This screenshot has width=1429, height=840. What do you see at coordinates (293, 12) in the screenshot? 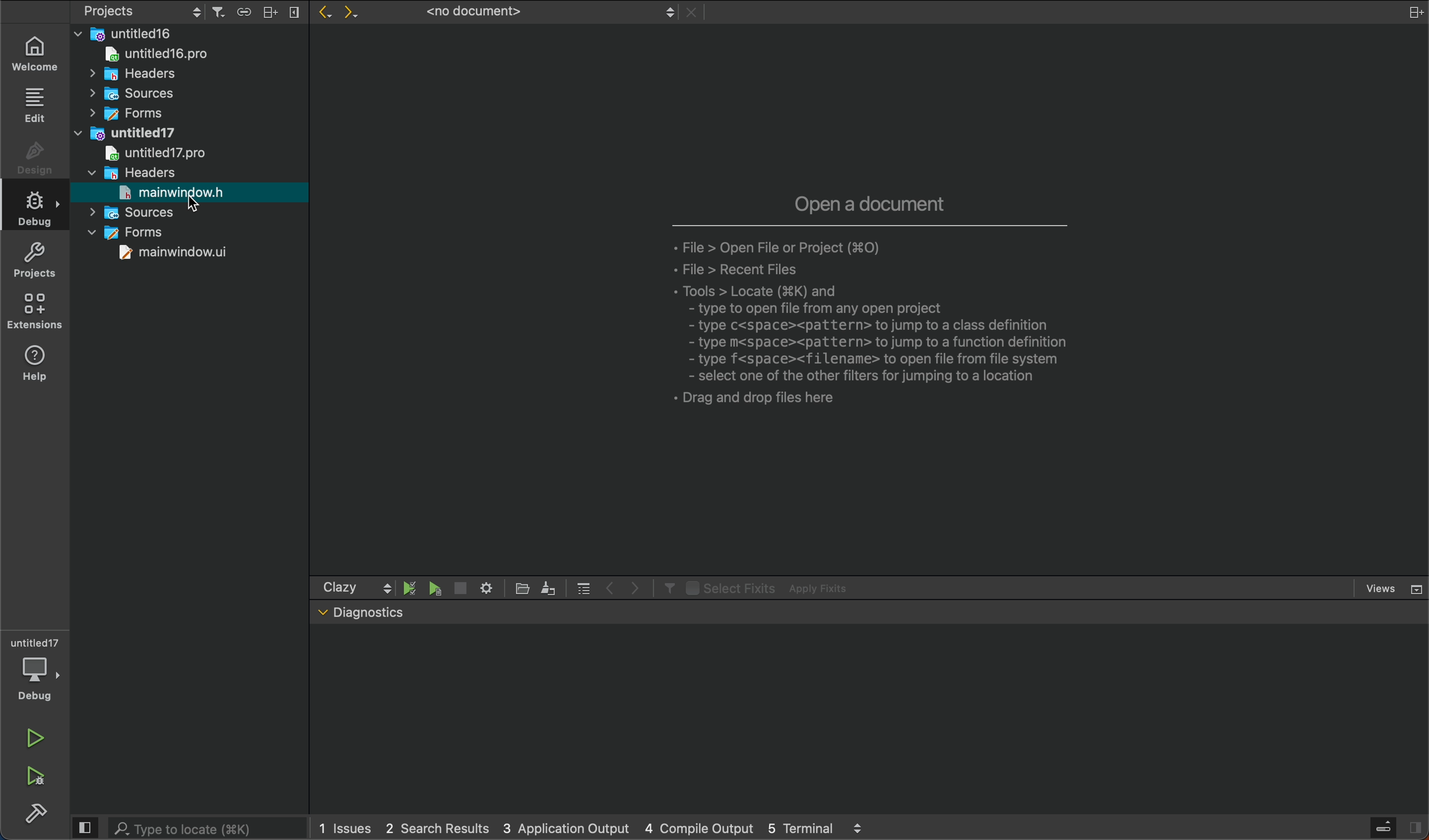
I see `Menu` at bounding box center [293, 12].